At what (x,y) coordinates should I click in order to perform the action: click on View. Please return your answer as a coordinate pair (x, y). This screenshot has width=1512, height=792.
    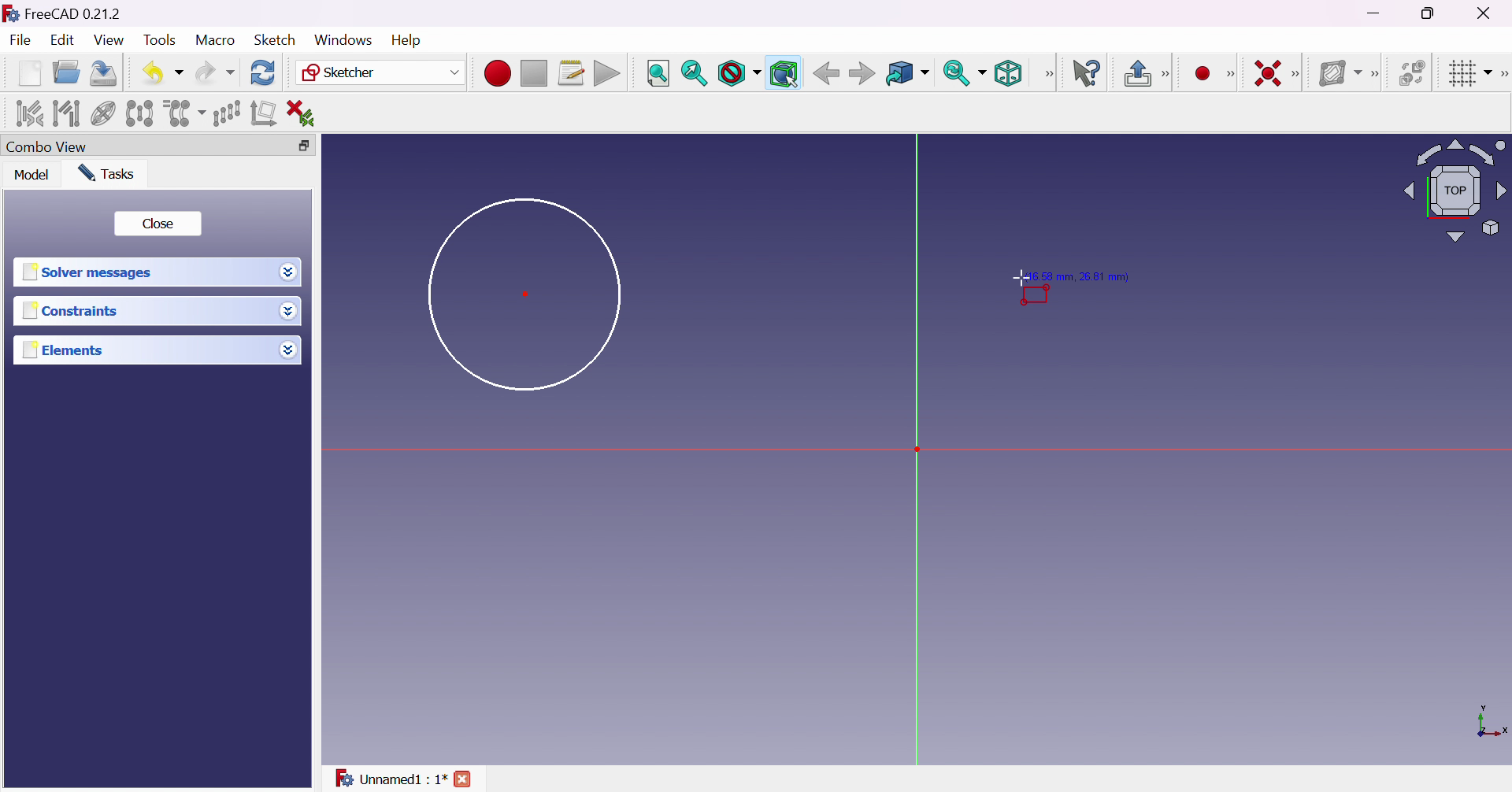
    Looking at the image, I should click on (110, 41).